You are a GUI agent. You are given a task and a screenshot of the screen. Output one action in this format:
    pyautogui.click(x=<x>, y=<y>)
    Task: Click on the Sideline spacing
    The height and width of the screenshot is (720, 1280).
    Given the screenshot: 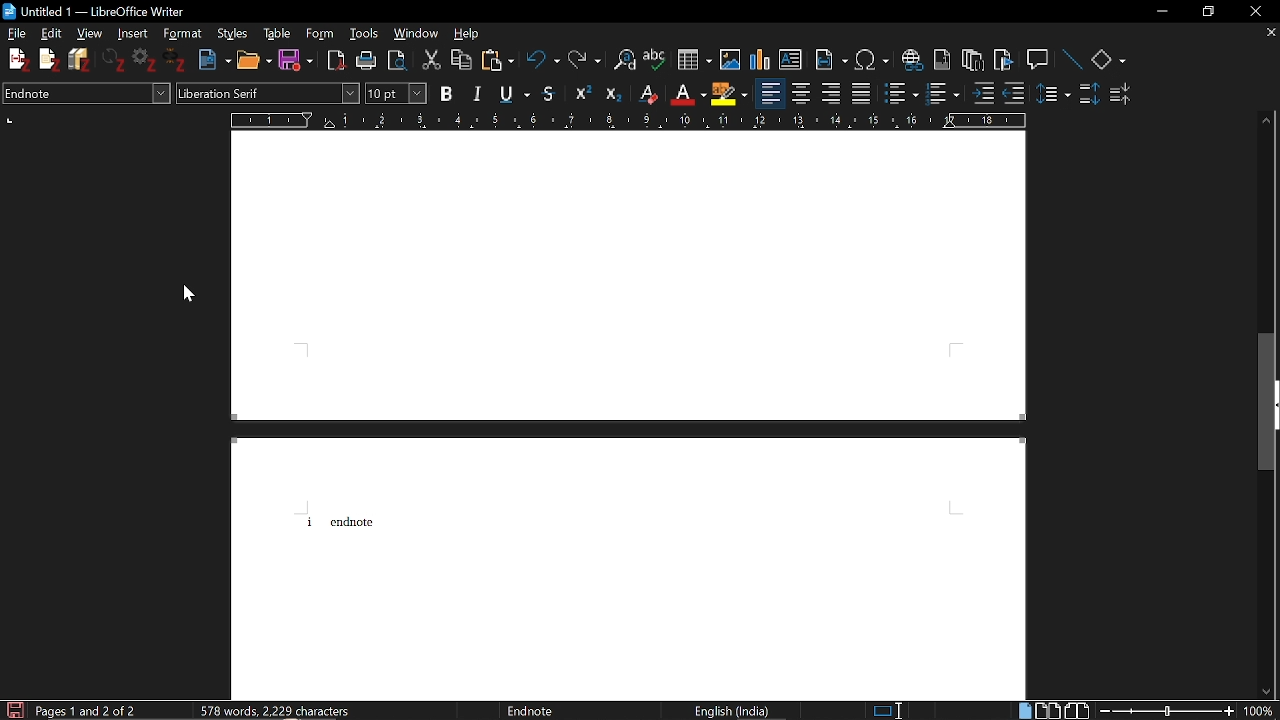 What is the action you would take?
    pyautogui.click(x=1054, y=95)
    